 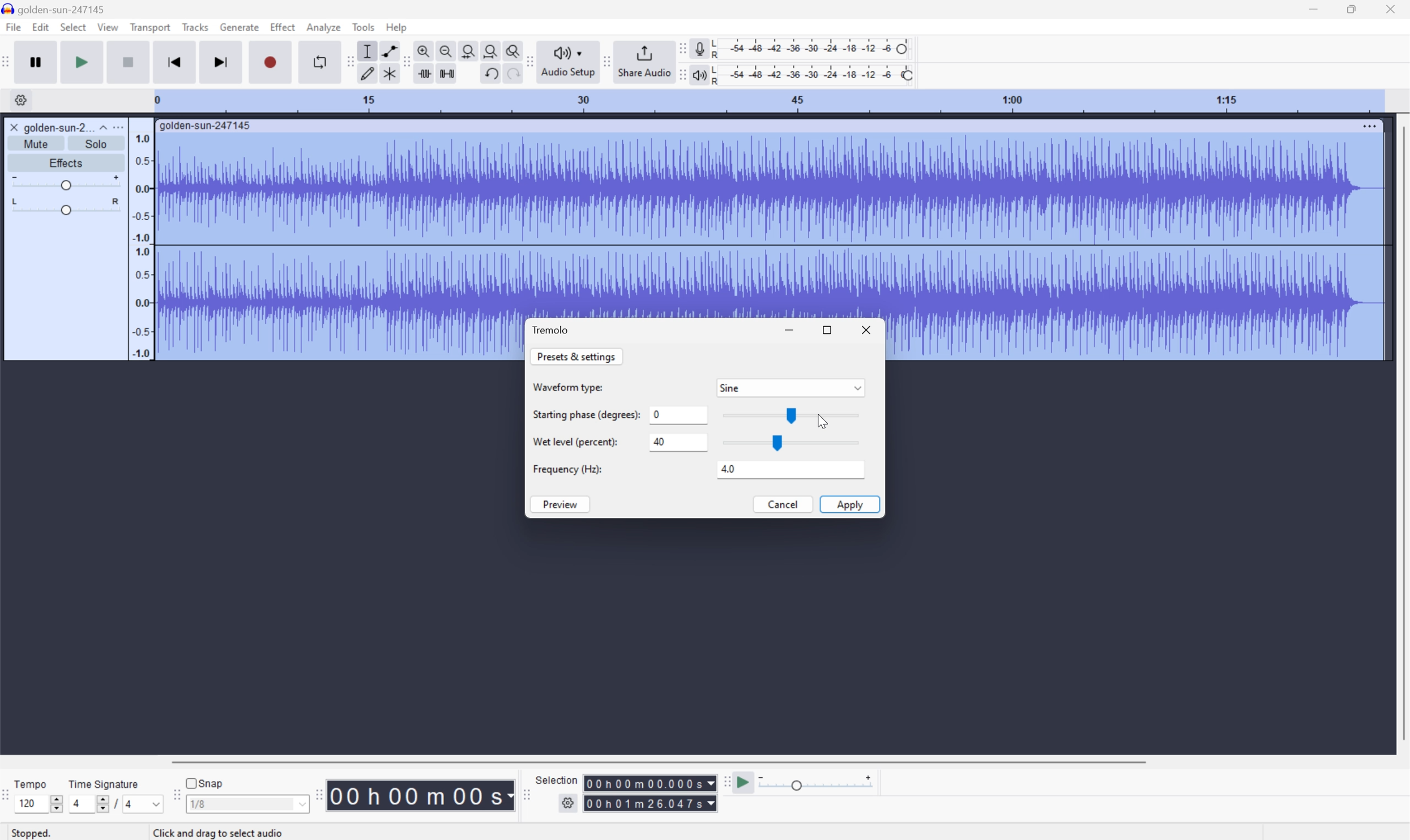 What do you see at coordinates (36, 143) in the screenshot?
I see `Mute` at bounding box center [36, 143].